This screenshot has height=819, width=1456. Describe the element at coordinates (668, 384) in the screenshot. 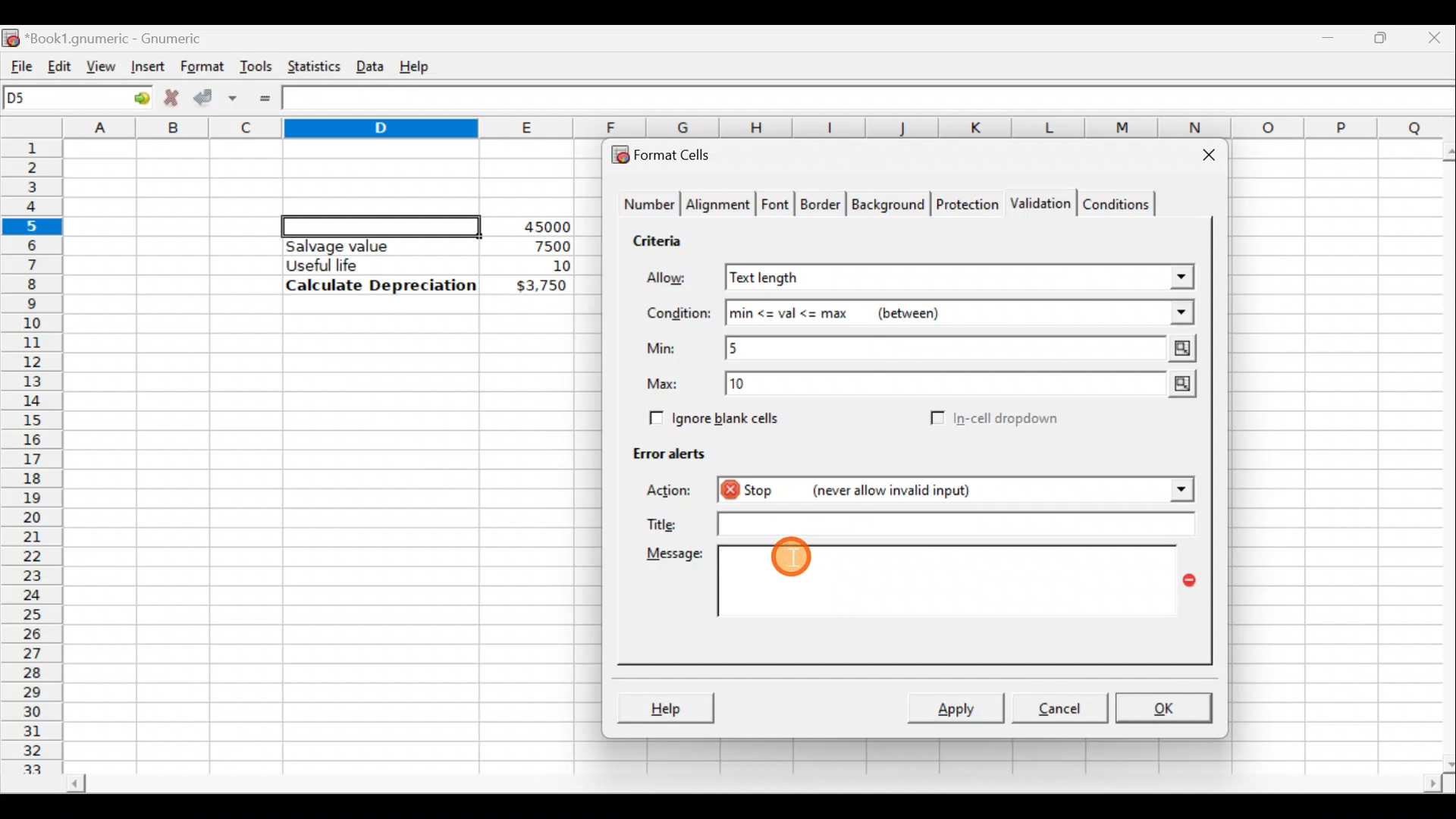

I see `Max` at that location.